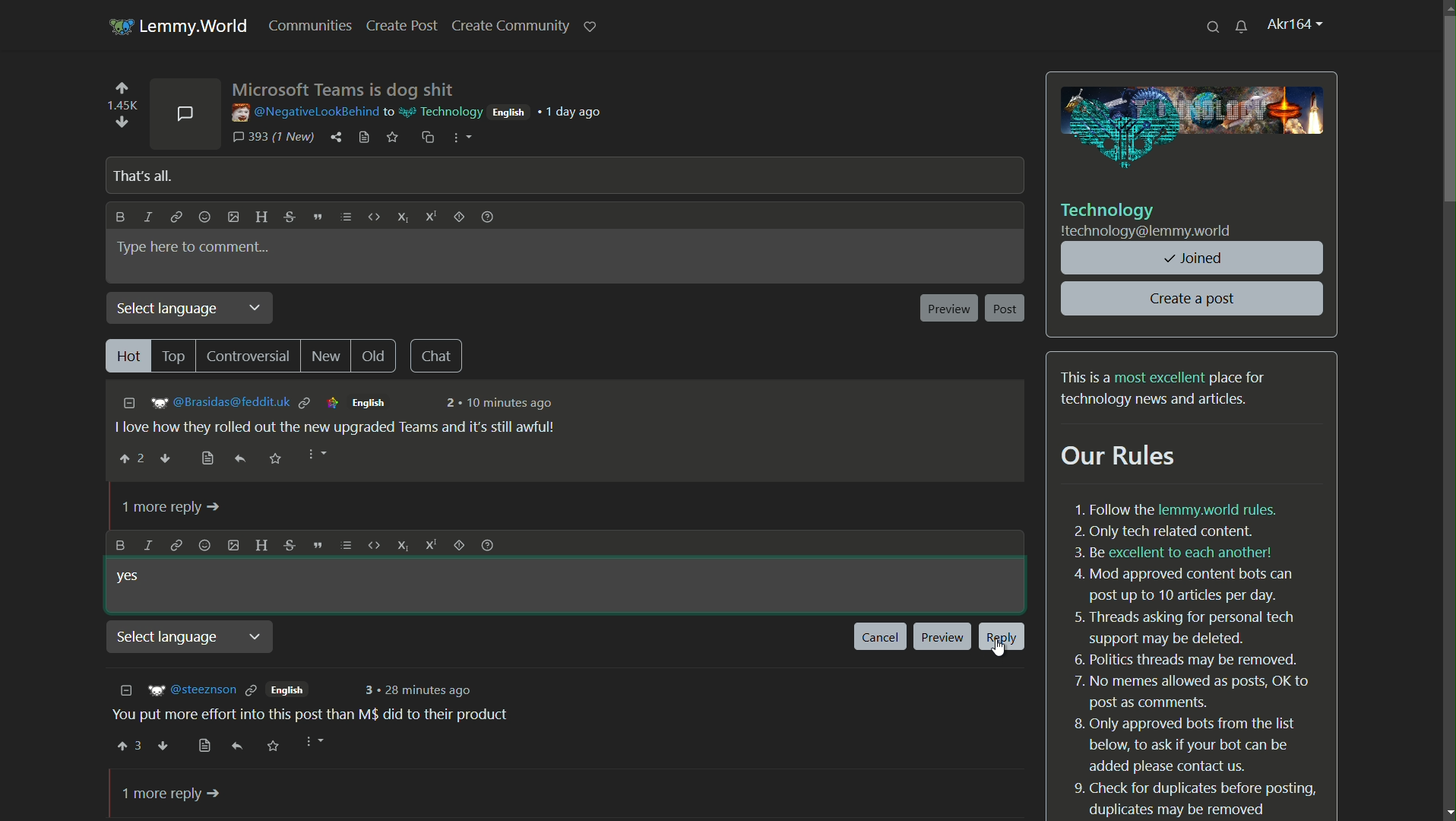 This screenshot has height=821, width=1456. What do you see at coordinates (1194, 128) in the screenshot?
I see `image` at bounding box center [1194, 128].